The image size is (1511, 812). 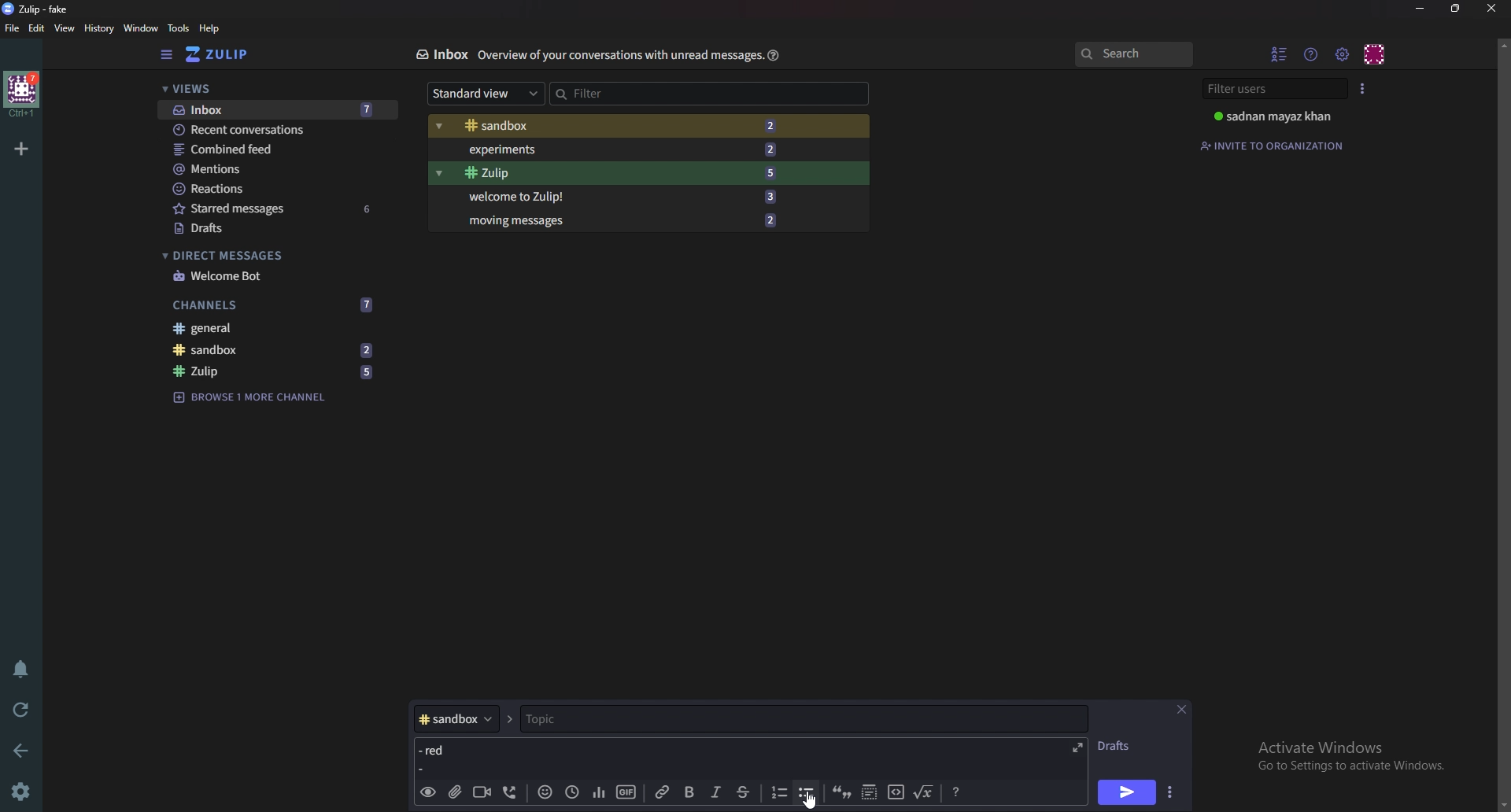 I want to click on quote, so click(x=840, y=791).